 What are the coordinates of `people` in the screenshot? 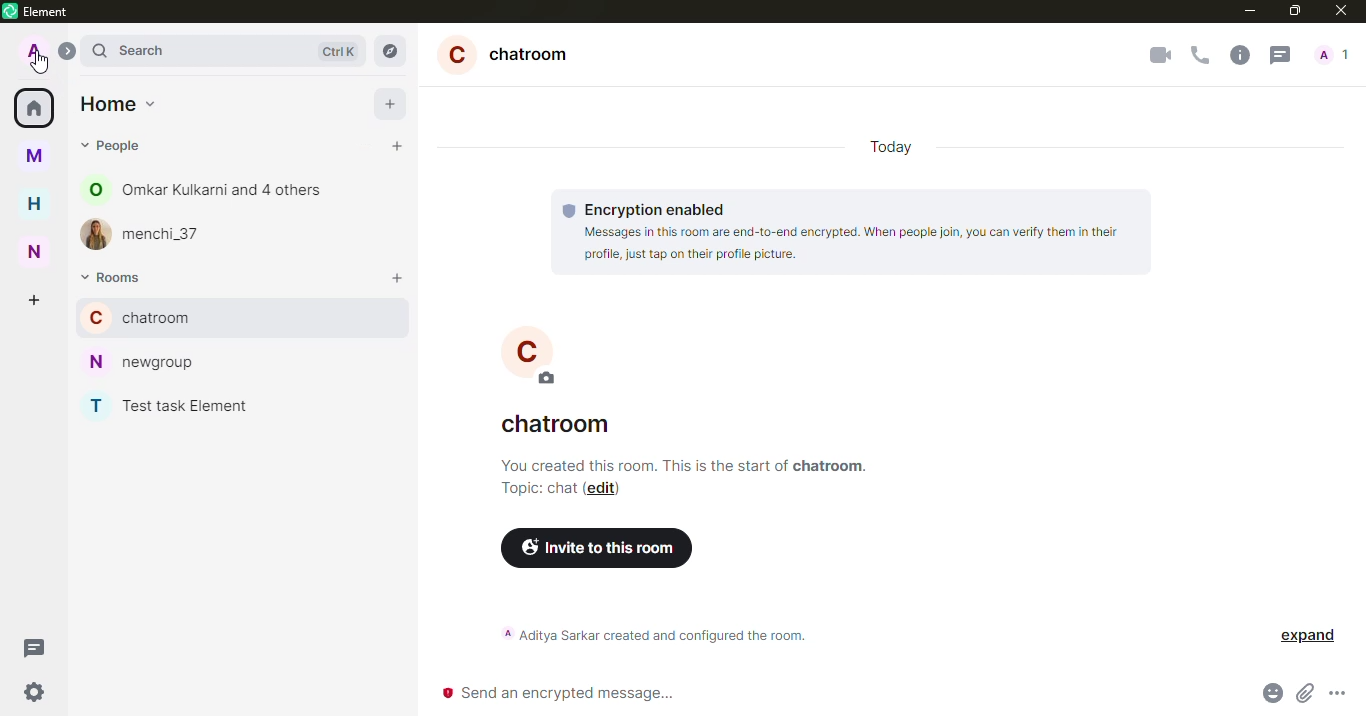 It's located at (1334, 53).